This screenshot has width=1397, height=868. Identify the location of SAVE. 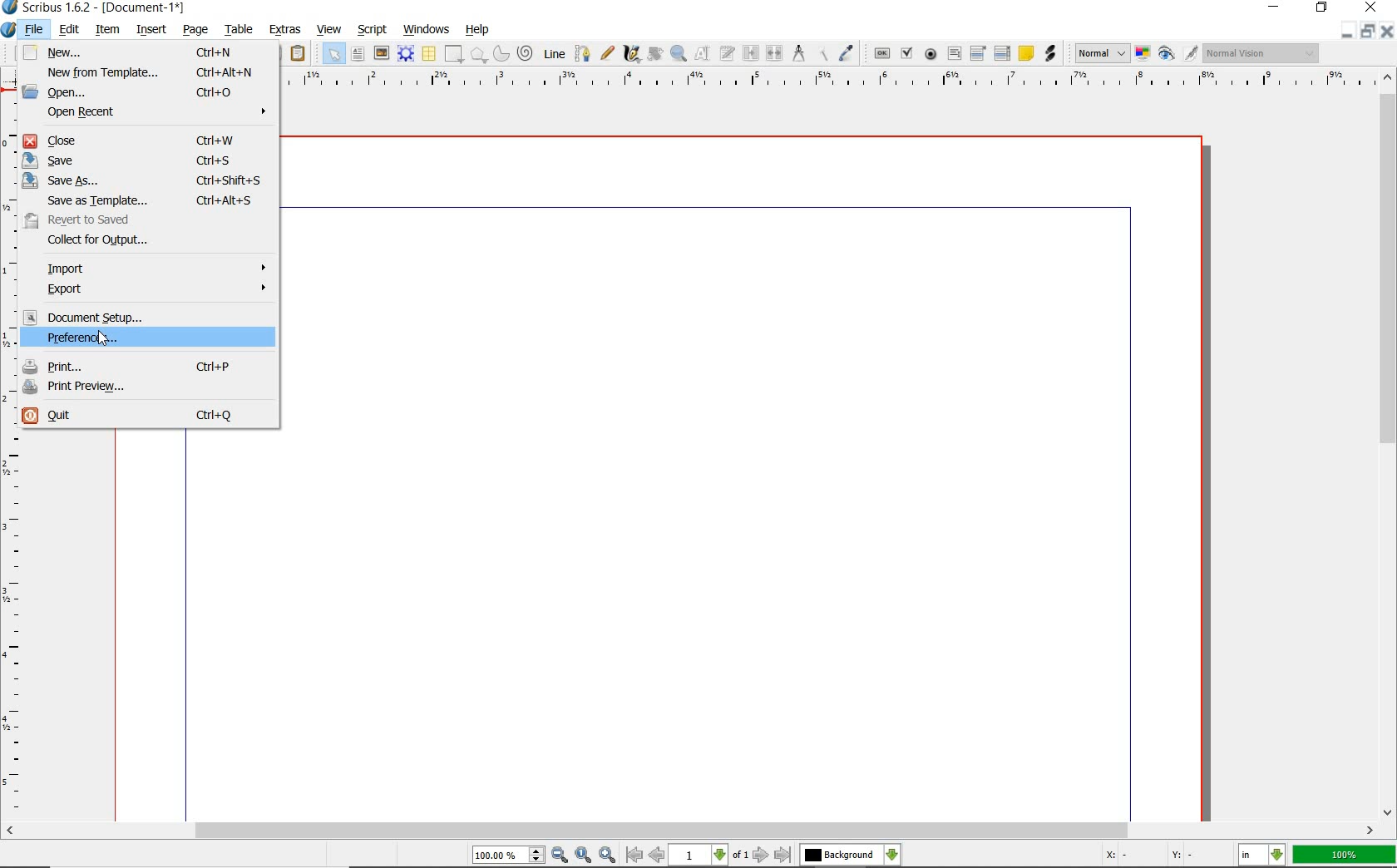
(147, 160).